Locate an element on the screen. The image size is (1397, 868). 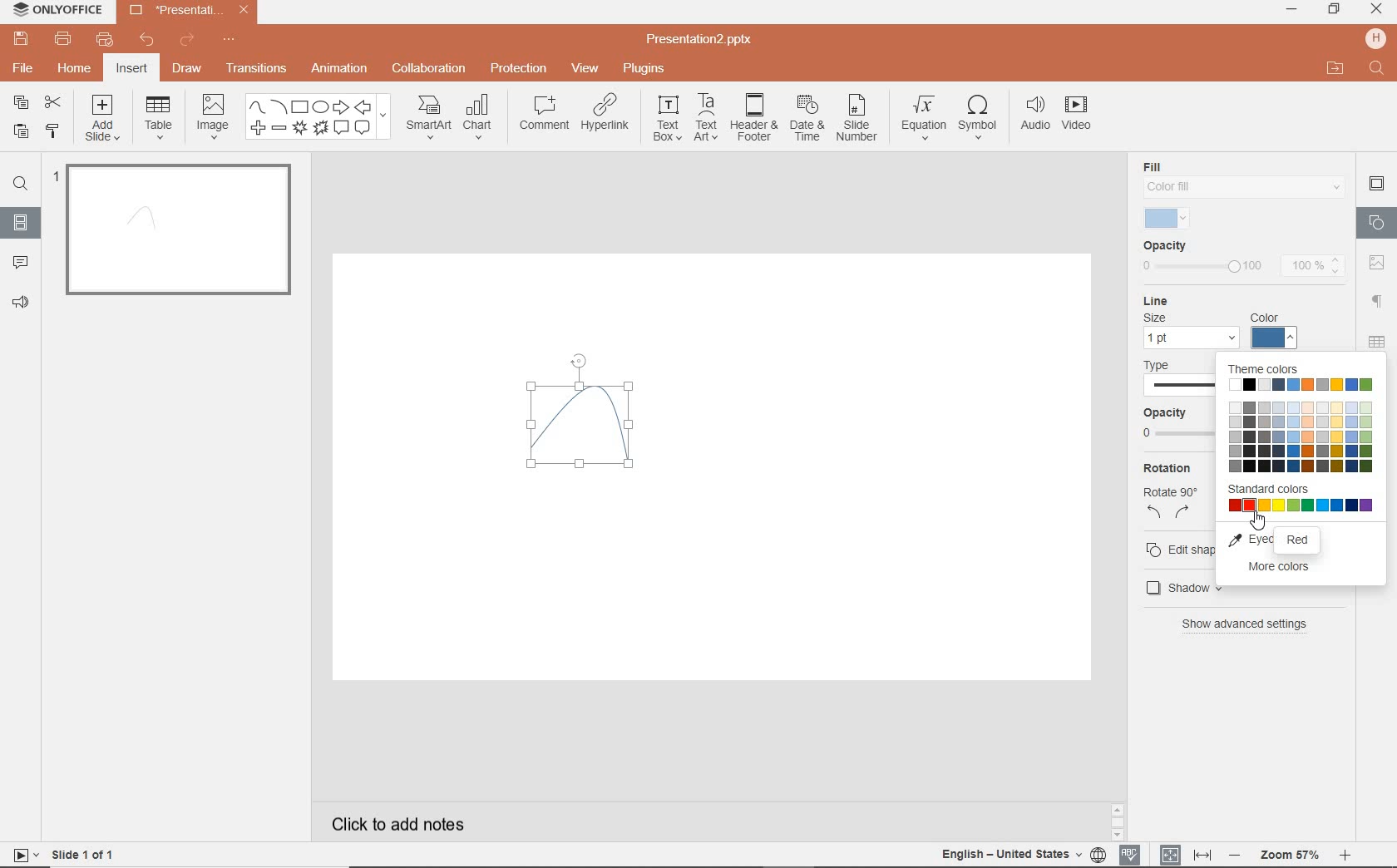
TEXTART is located at coordinates (706, 119).